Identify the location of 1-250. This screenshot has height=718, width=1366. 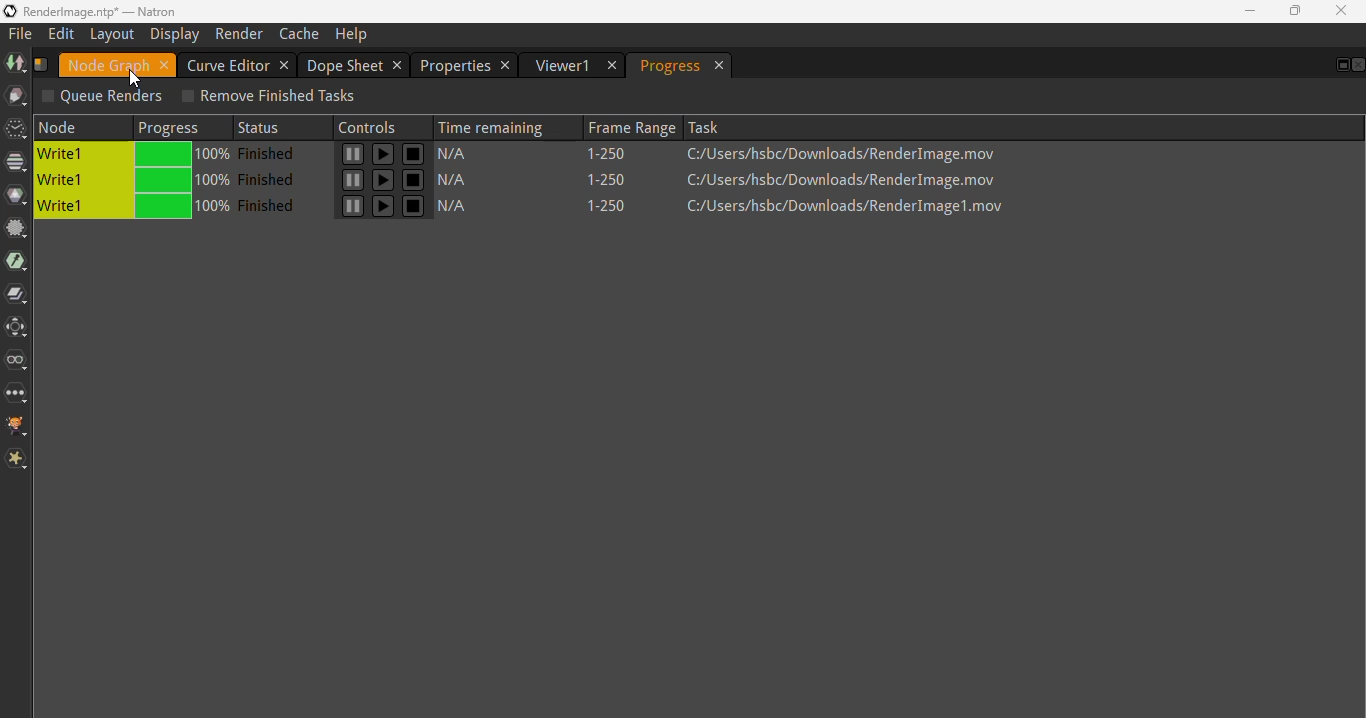
(614, 155).